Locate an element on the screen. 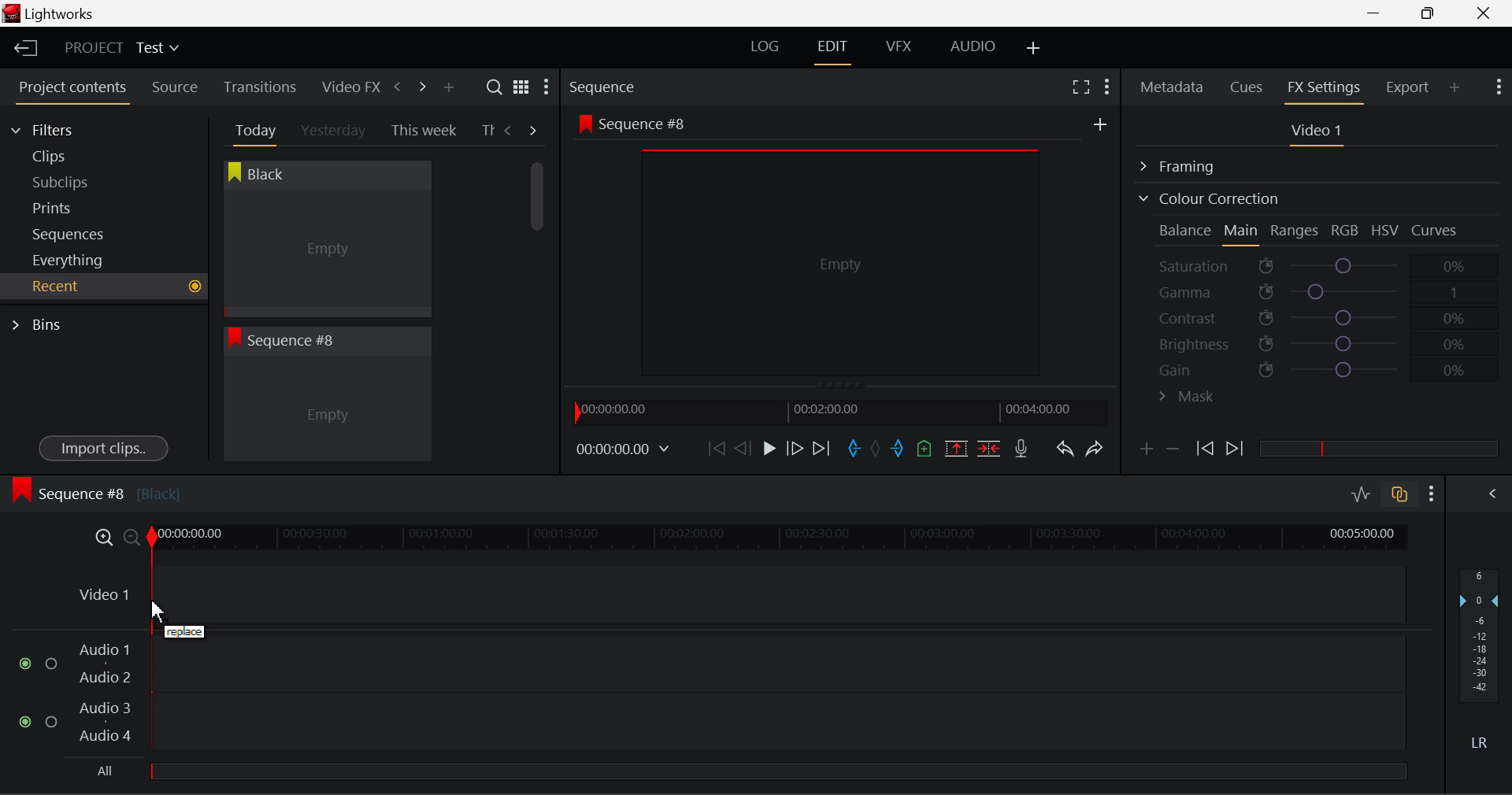  Video Input Field is located at coordinates (737, 595).